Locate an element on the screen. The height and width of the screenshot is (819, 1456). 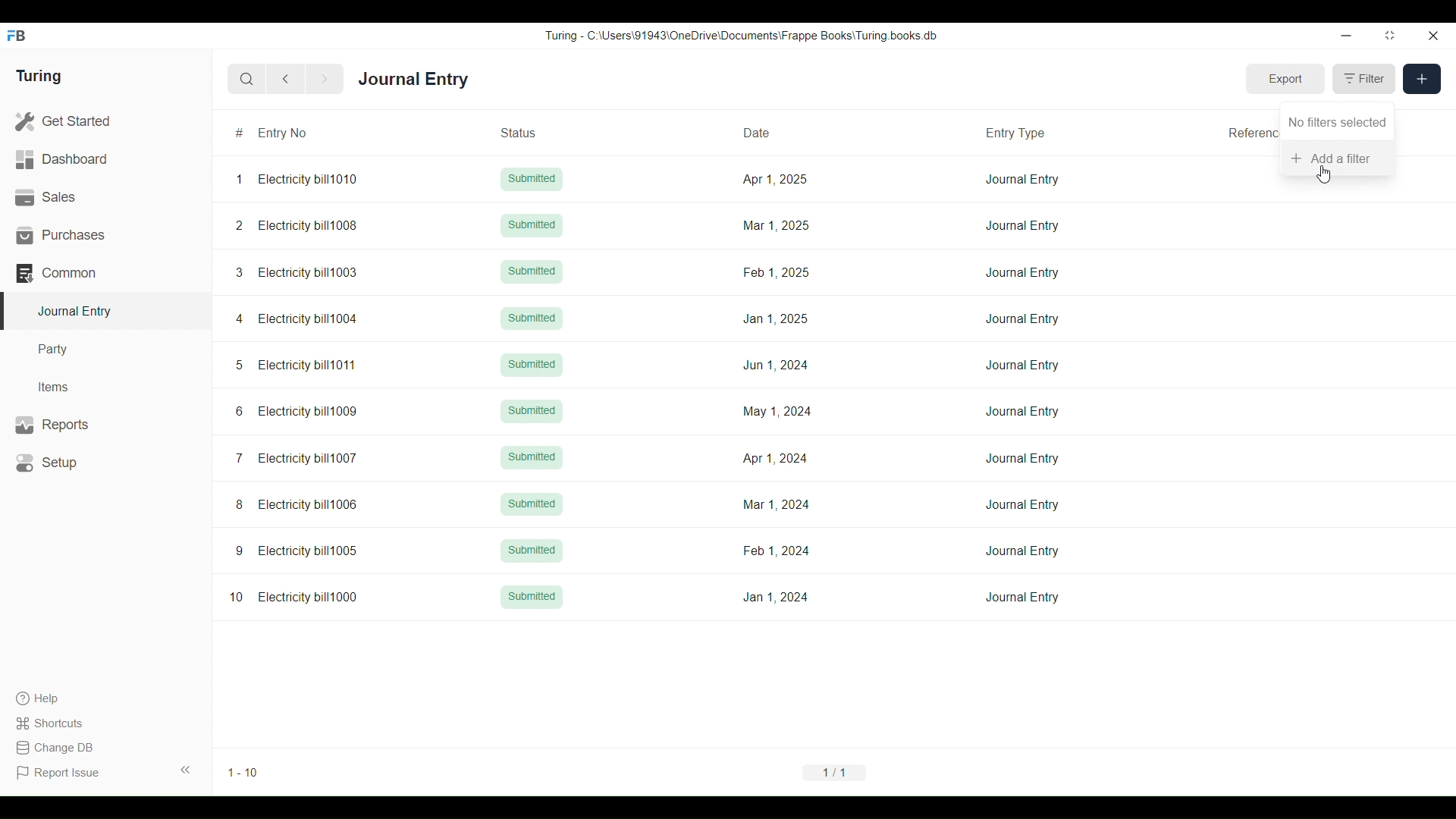
Collapse sidebar is located at coordinates (186, 770).